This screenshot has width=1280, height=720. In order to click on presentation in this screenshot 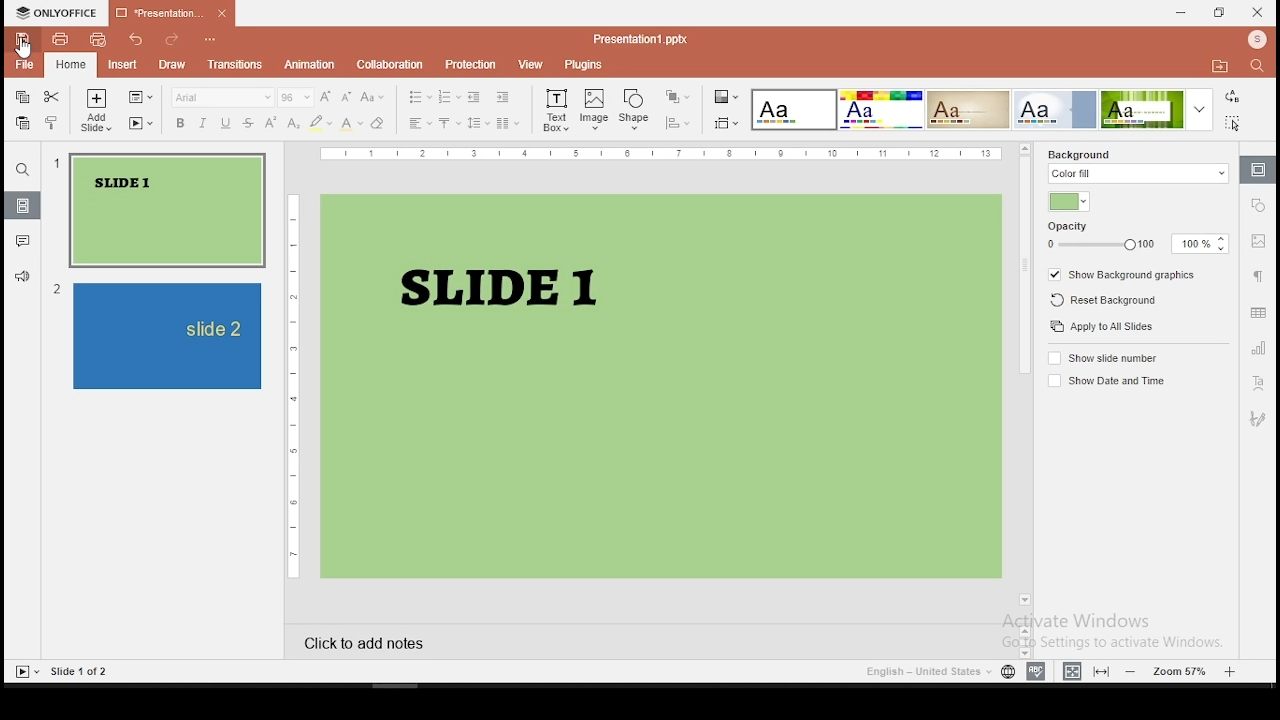, I will do `click(174, 13)`.